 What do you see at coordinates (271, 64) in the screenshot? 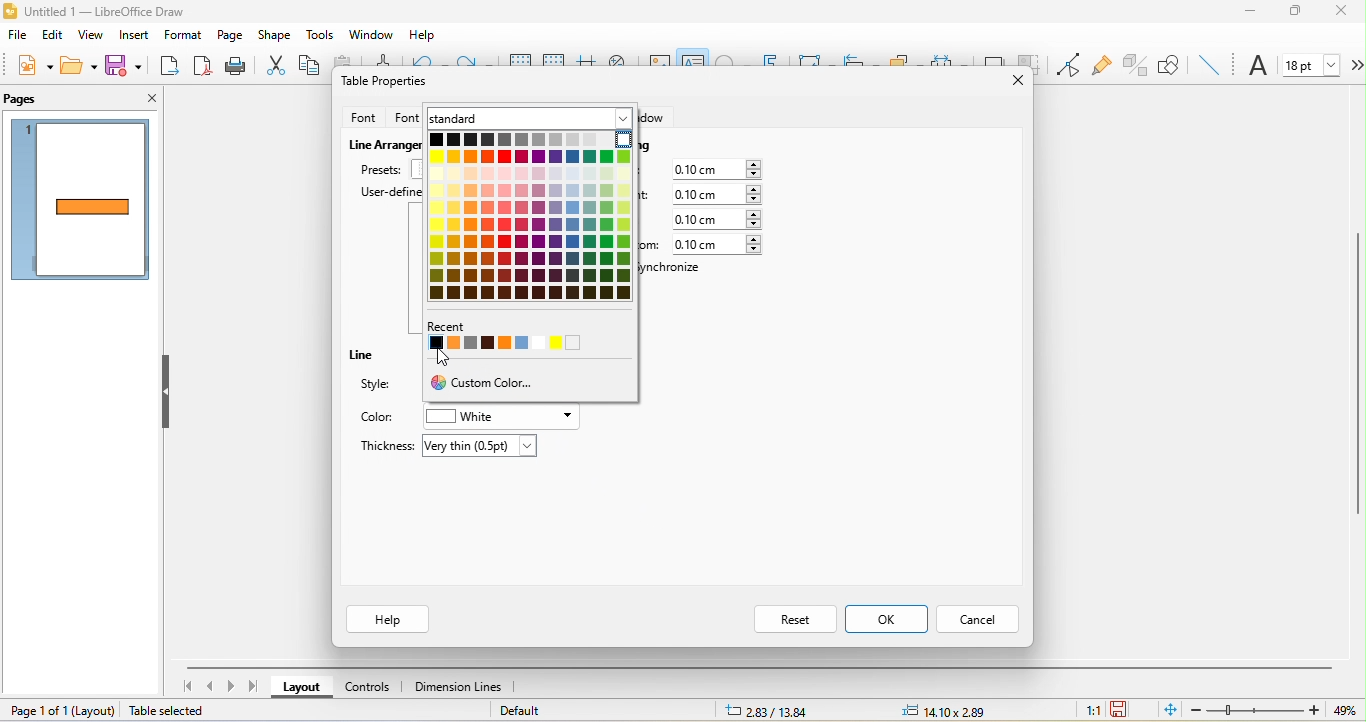
I see `cut` at bounding box center [271, 64].